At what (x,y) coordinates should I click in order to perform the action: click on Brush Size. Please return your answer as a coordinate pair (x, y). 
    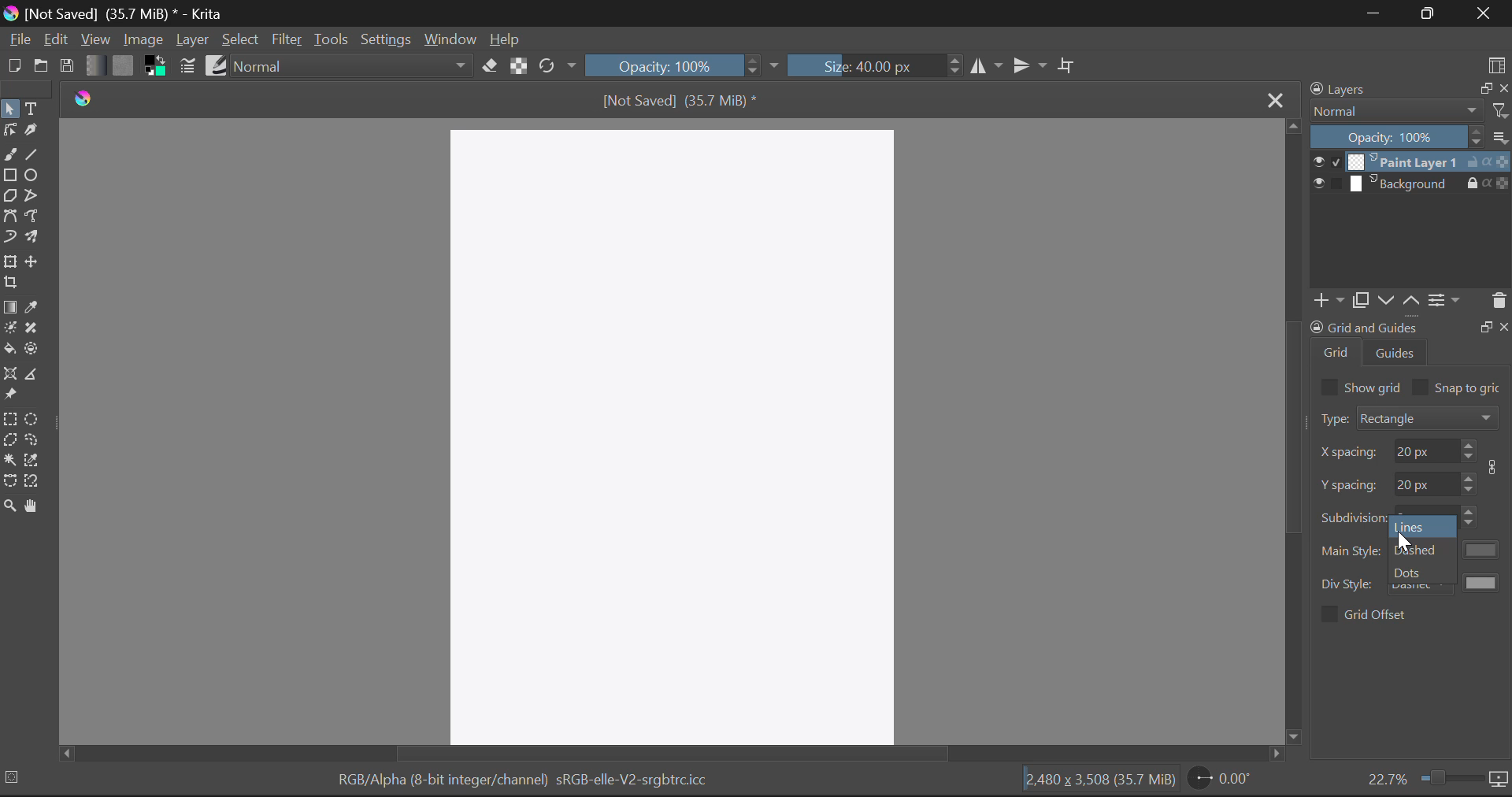
    Looking at the image, I should click on (873, 65).